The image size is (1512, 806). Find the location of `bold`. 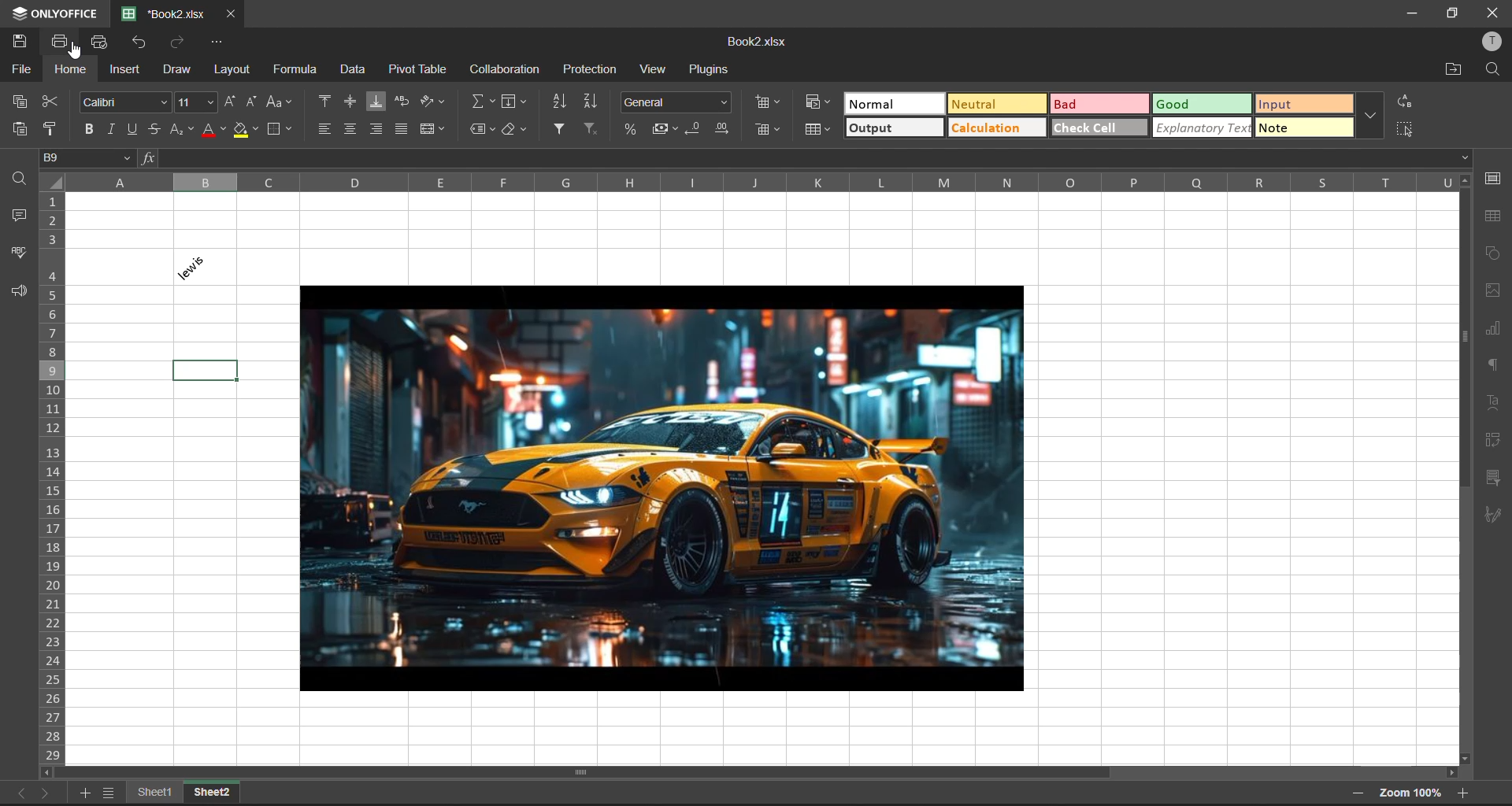

bold is located at coordinates (92, 128).